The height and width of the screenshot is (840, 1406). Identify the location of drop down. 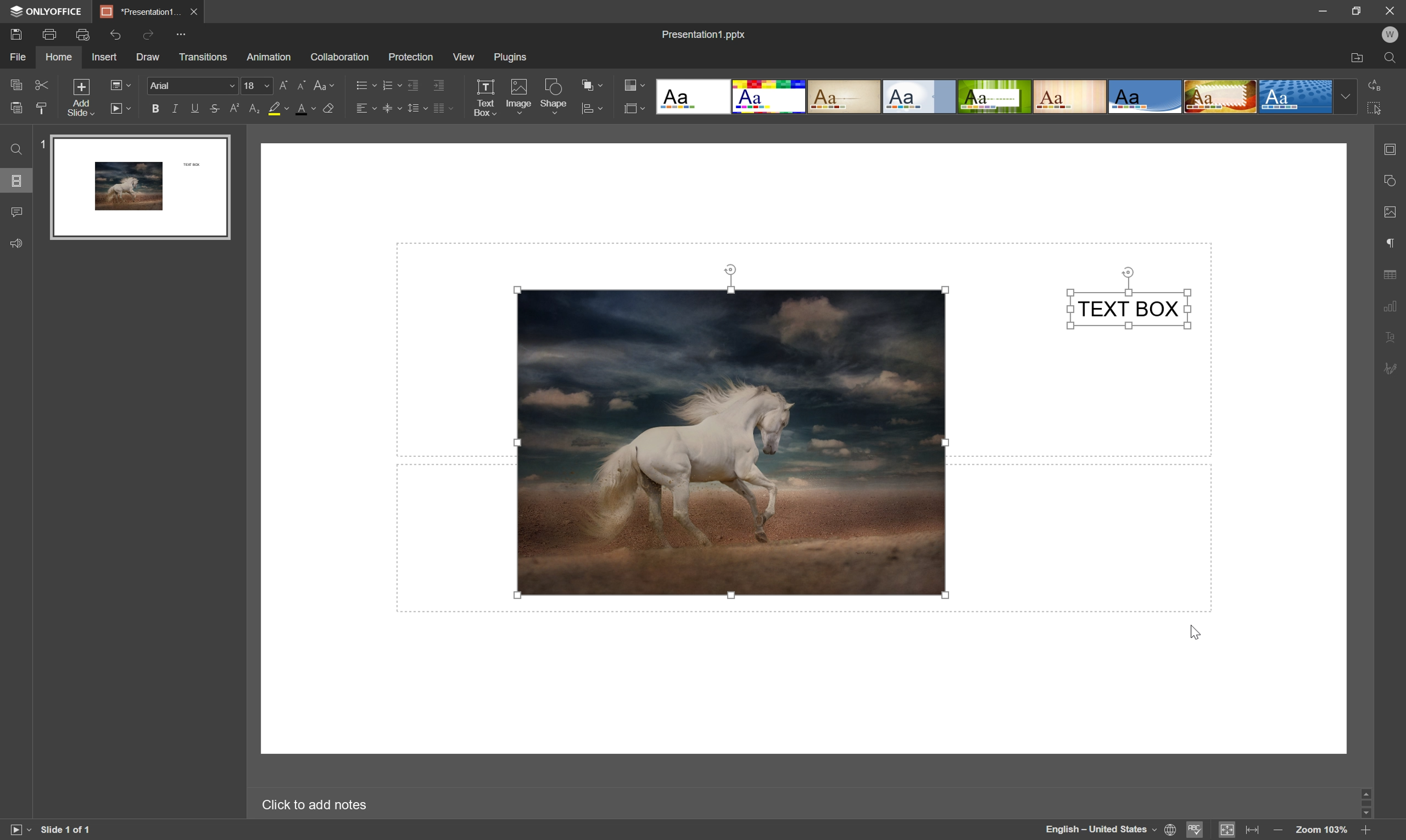
(1347, 97).